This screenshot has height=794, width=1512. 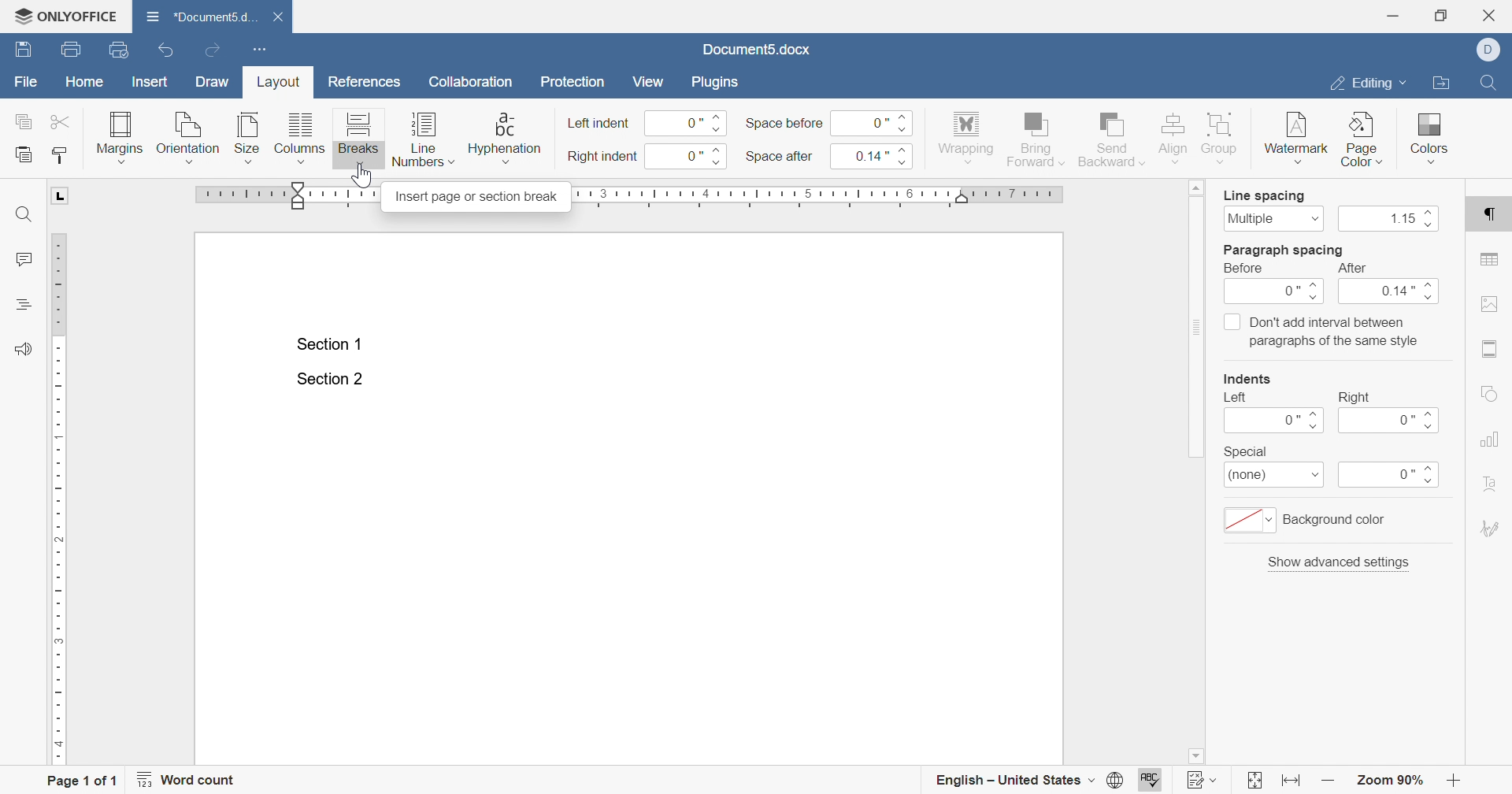 I want to click on 0, so click(x=873, y=121).